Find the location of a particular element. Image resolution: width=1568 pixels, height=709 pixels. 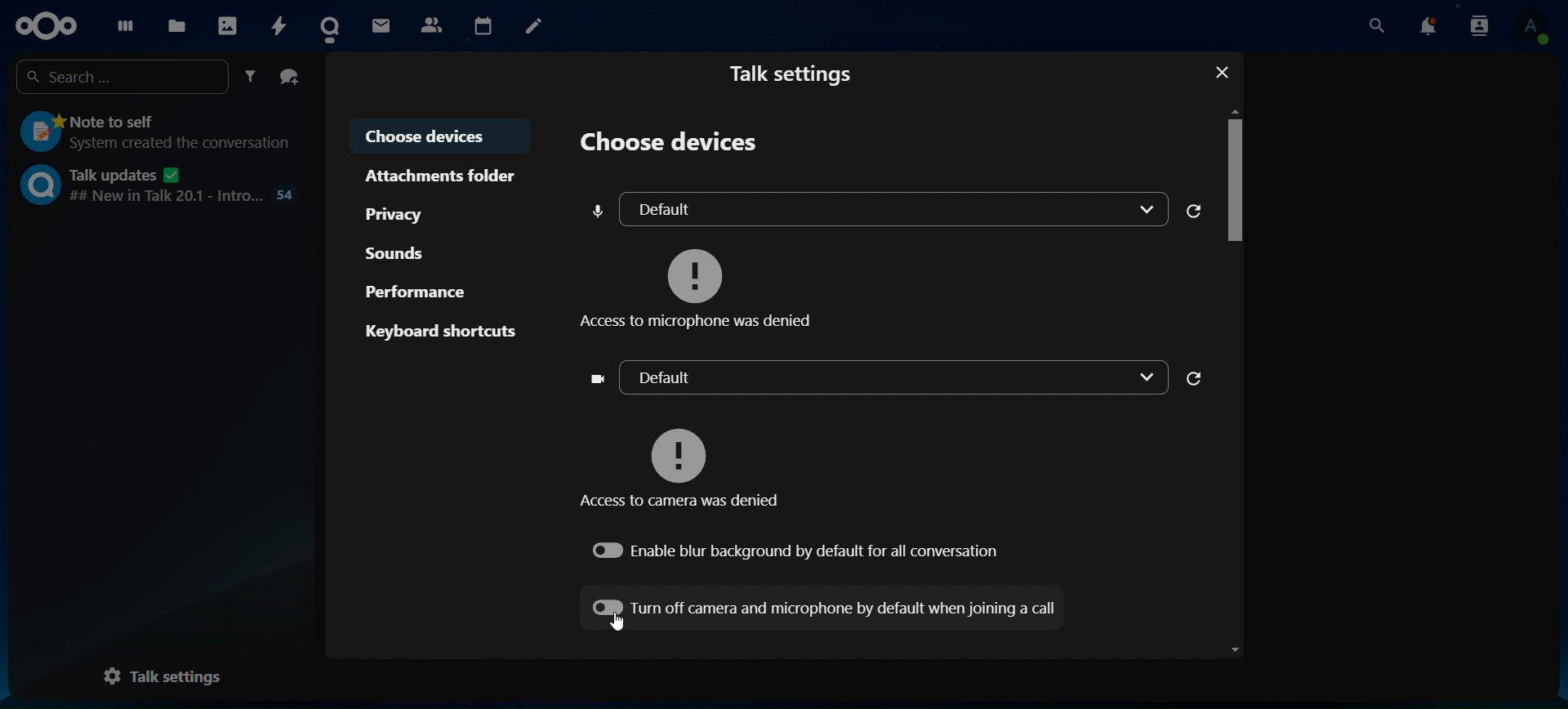

sounds is located at coordinates (401, 252).